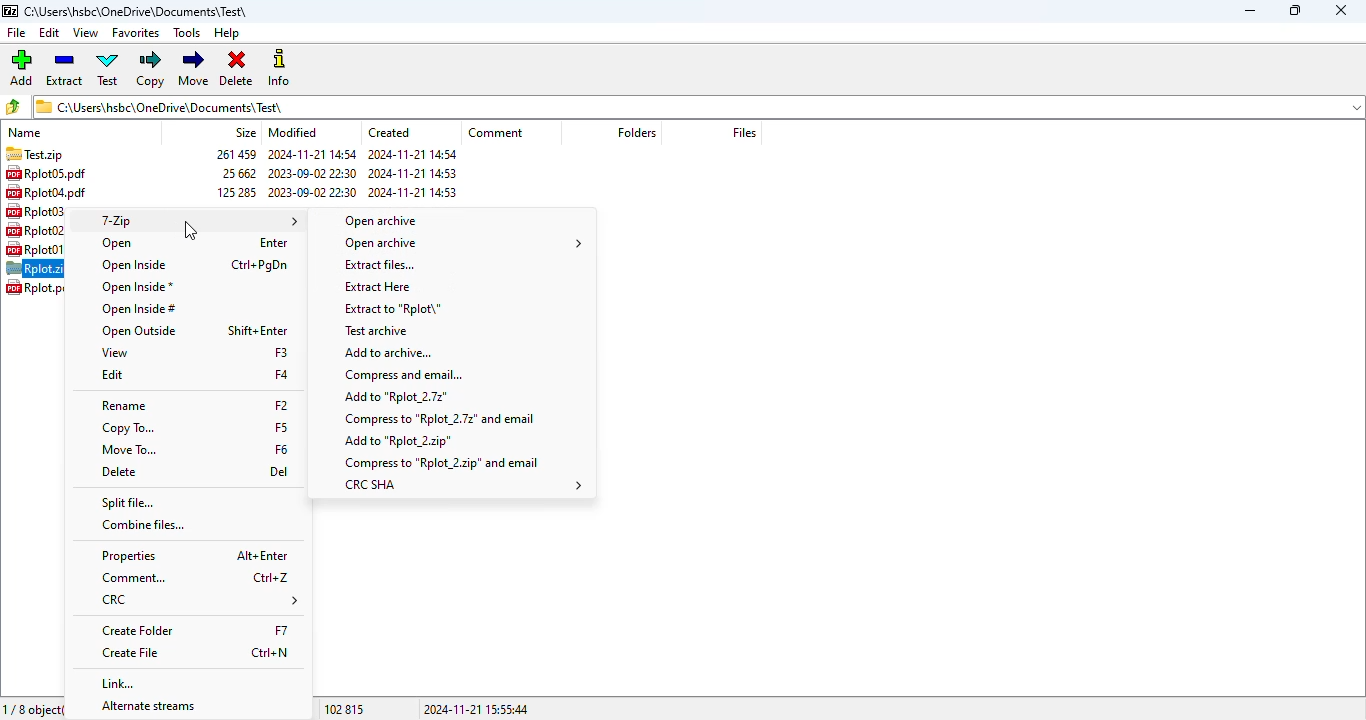 The height and width of the screenshot is (720, 1366). Describe the element at coordinates (136, 33) in the screenshot. I see `favorites` at that location.